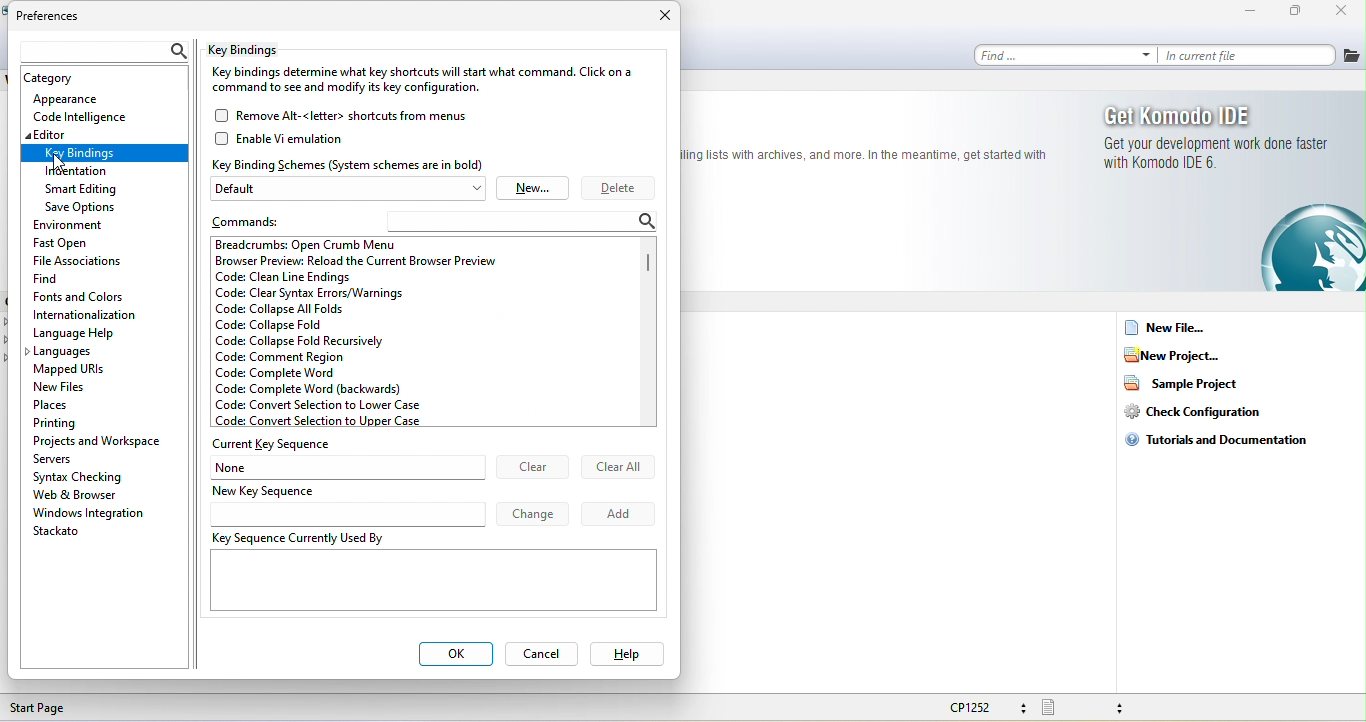  Describe the element at coordinates (1089, 708) in the screenshot. I see `file type` at that location.